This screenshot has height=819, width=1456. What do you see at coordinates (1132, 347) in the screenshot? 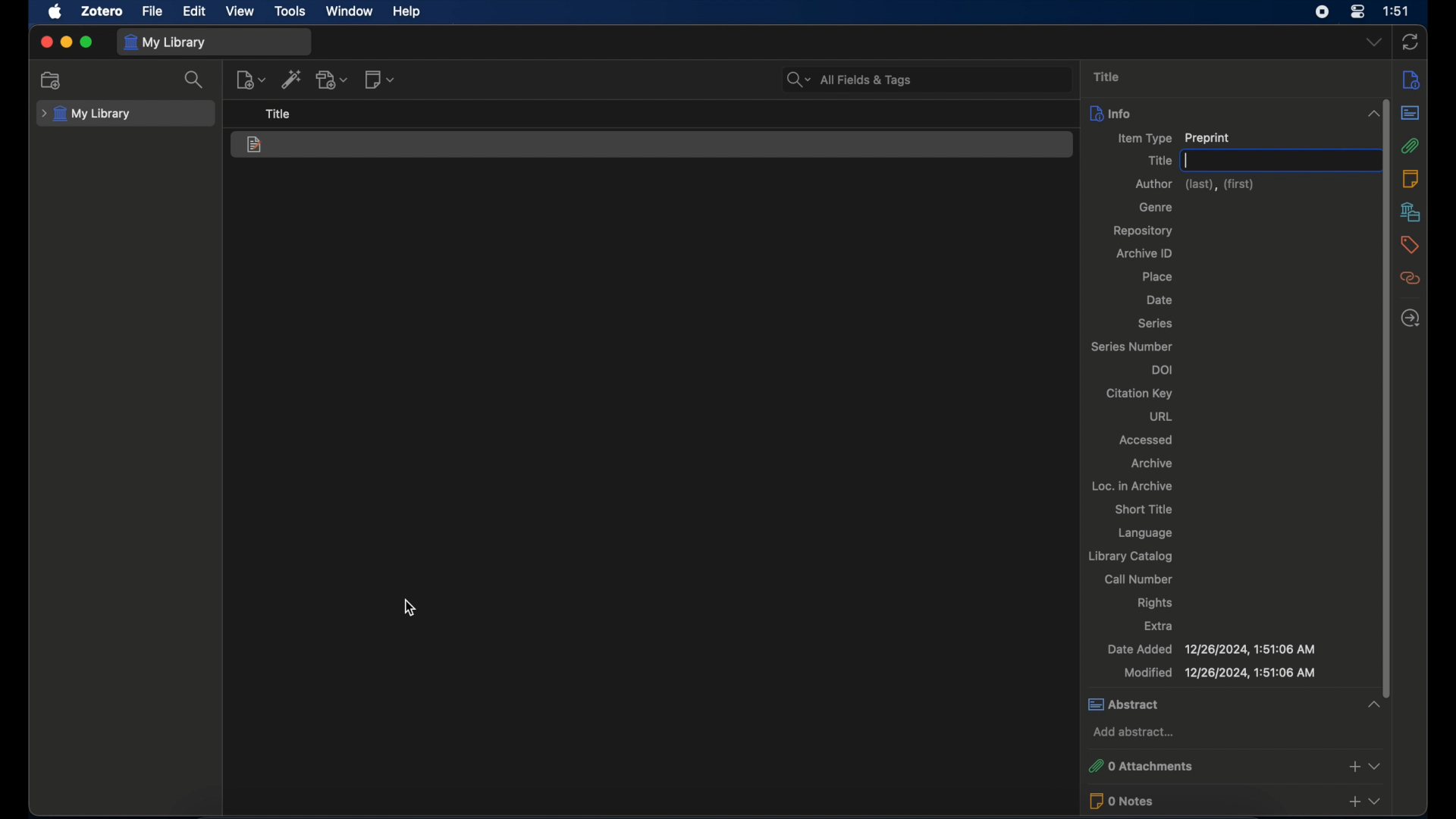
I see `series number` at bounding box center [1132, 347].